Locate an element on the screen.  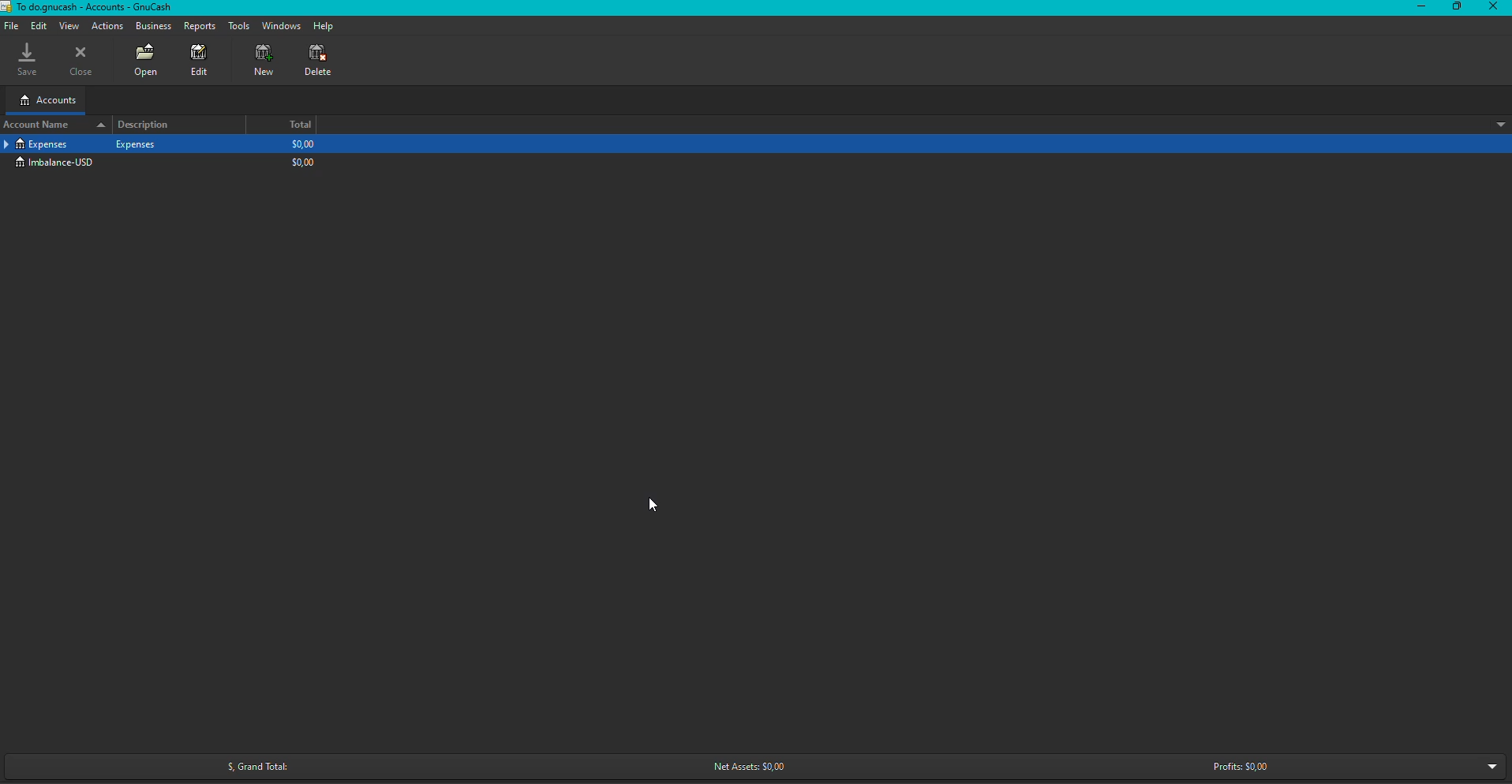
Imbalance is located at coordinates (58, 162).